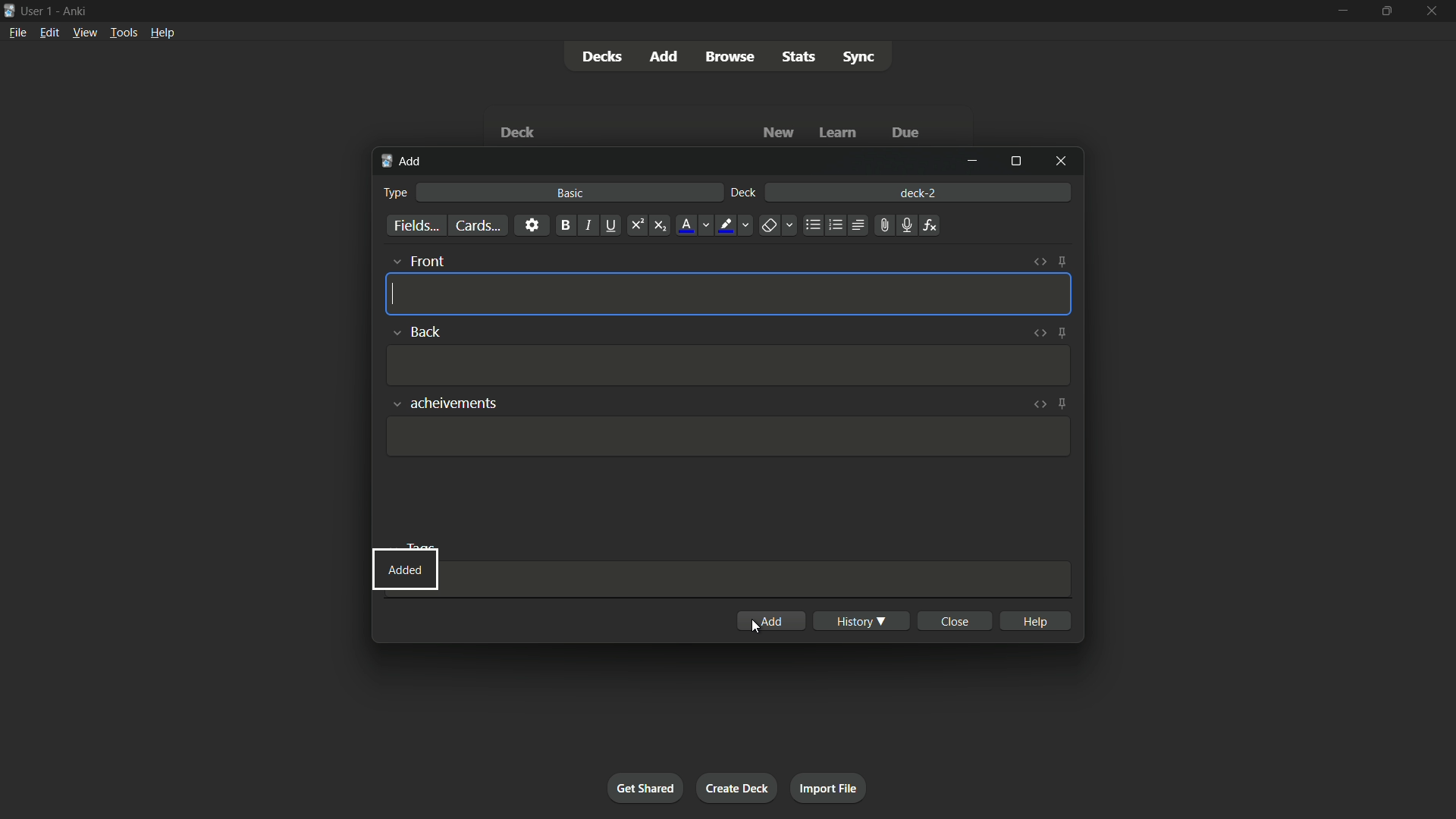  What do you see at coordinates (588, 225) in the screenshot?
I see `italic` at bounding box center [588, 225].